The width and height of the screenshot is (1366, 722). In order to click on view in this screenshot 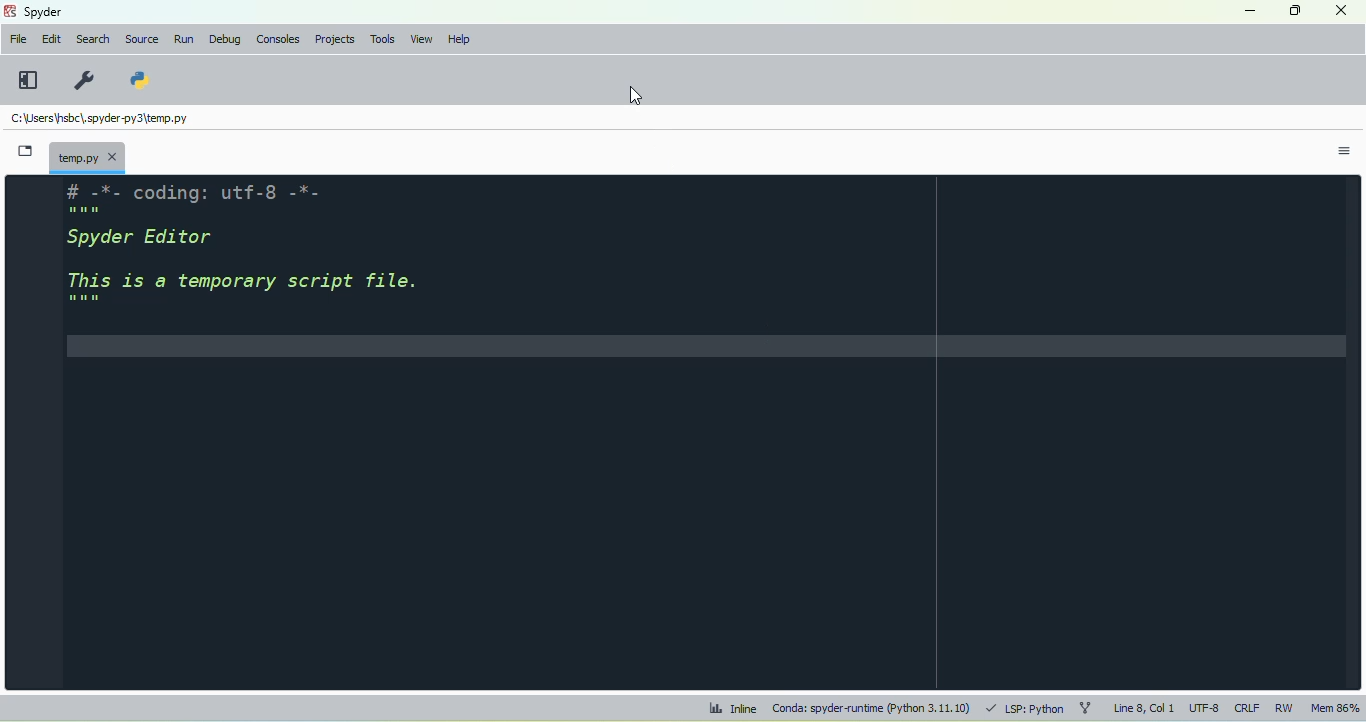, I will do `click(423, 39)`.